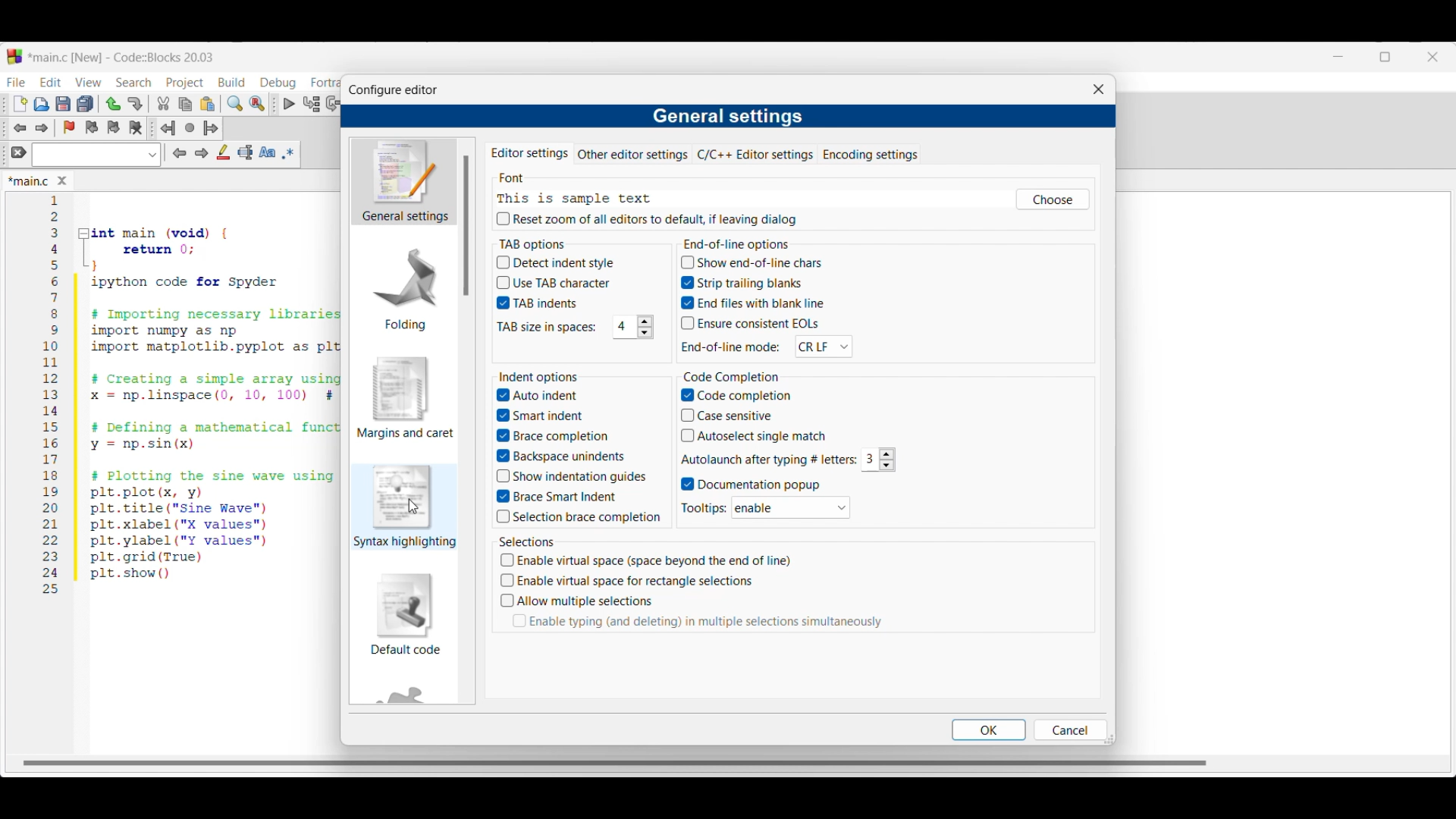  What do you see at coordinates (1099, 89) in the screenshot?
I see `Close` at bounding box center [1099, 89].